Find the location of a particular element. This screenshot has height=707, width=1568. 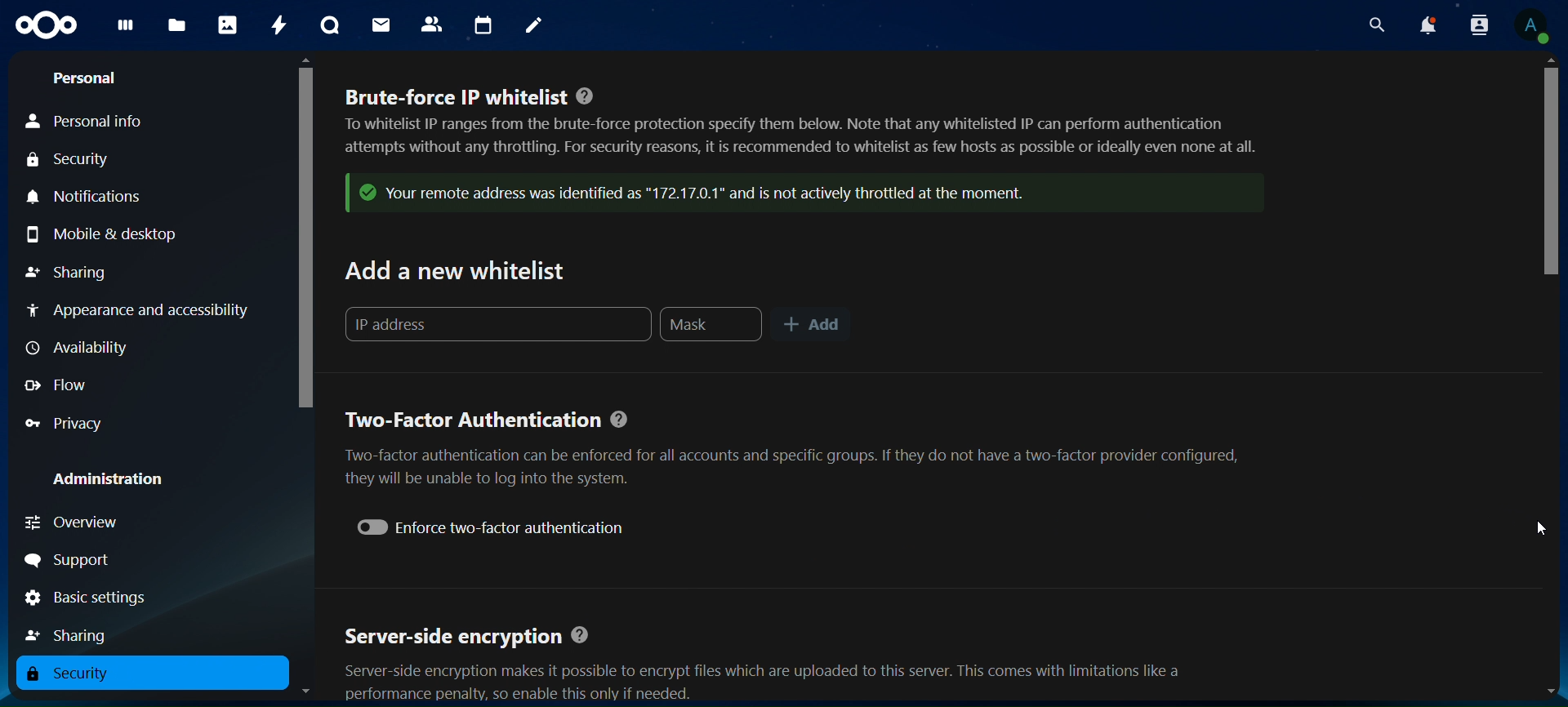

availability is located at coordinates (74, 346).